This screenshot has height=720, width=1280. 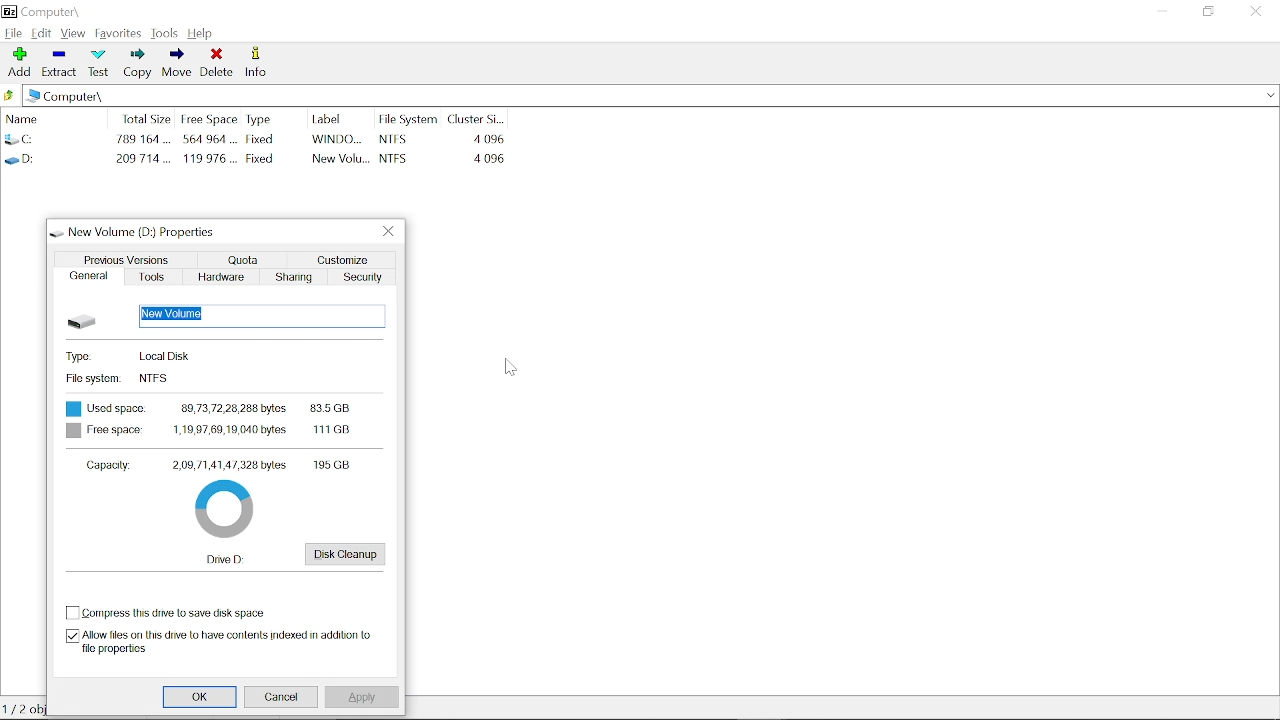 I want to click on recent locations, so click(x=1271, y=96).